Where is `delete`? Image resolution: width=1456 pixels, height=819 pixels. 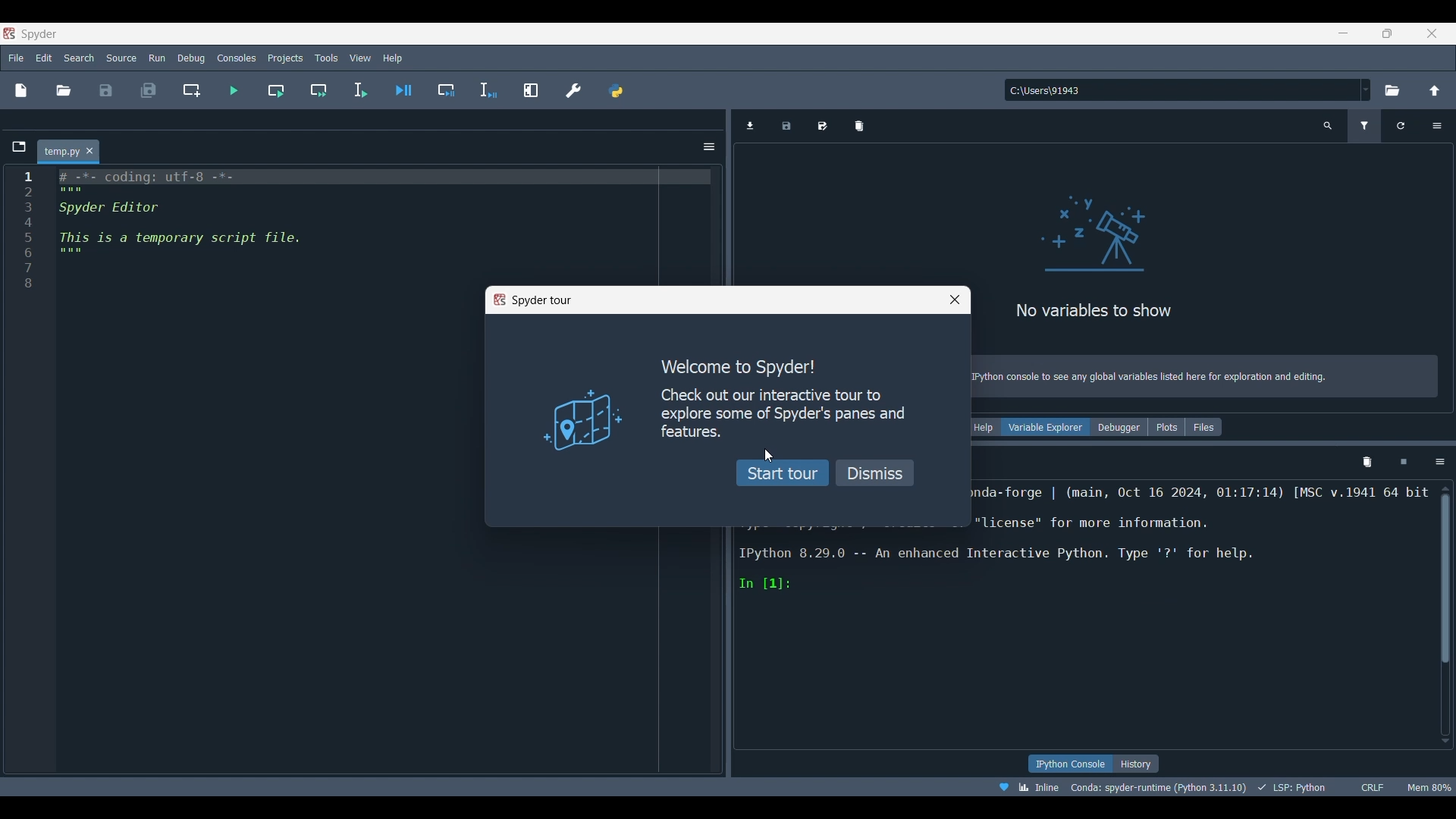 delete is located at coordinates (1364, 461).